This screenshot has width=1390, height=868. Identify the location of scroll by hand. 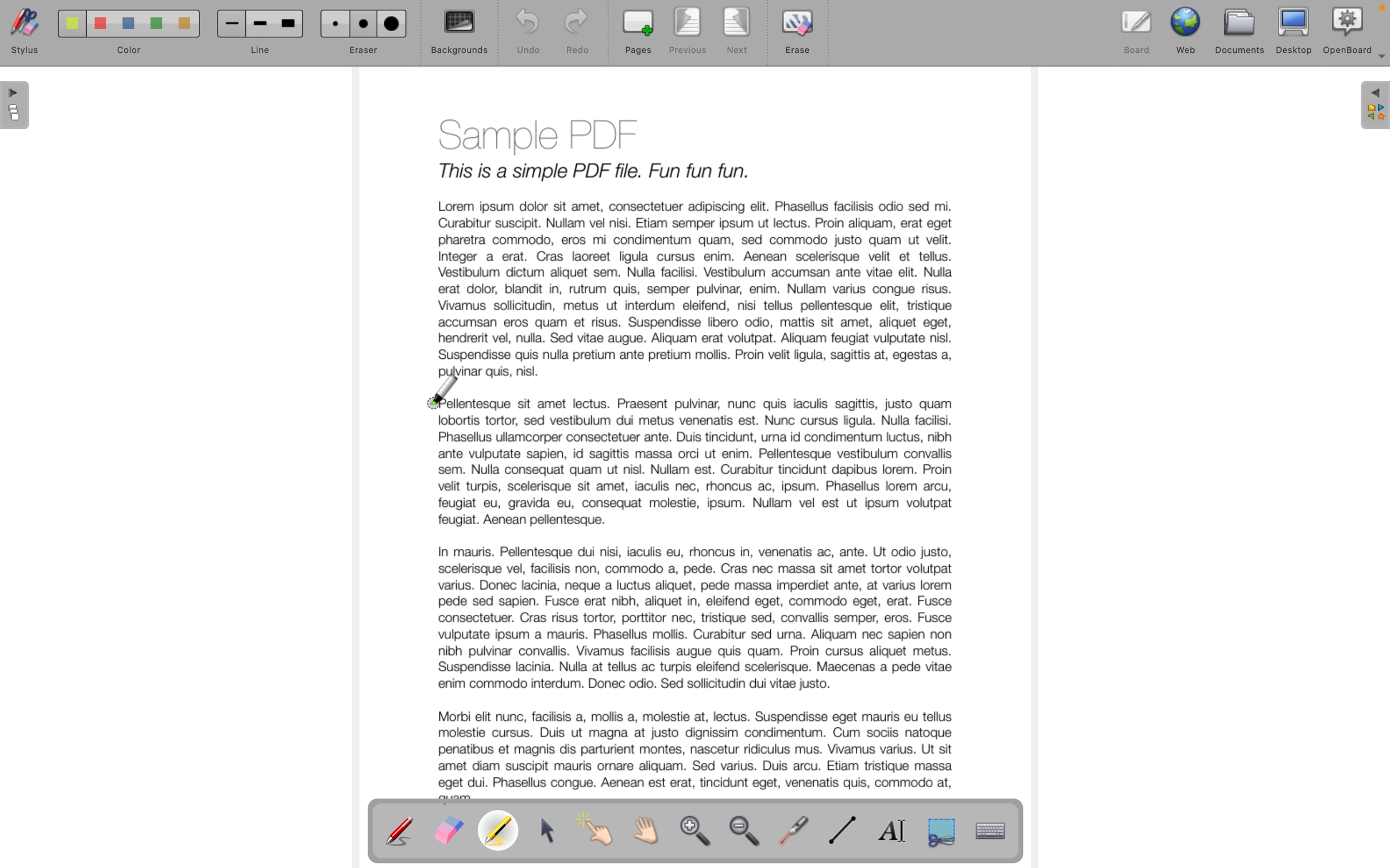
(653, 831).